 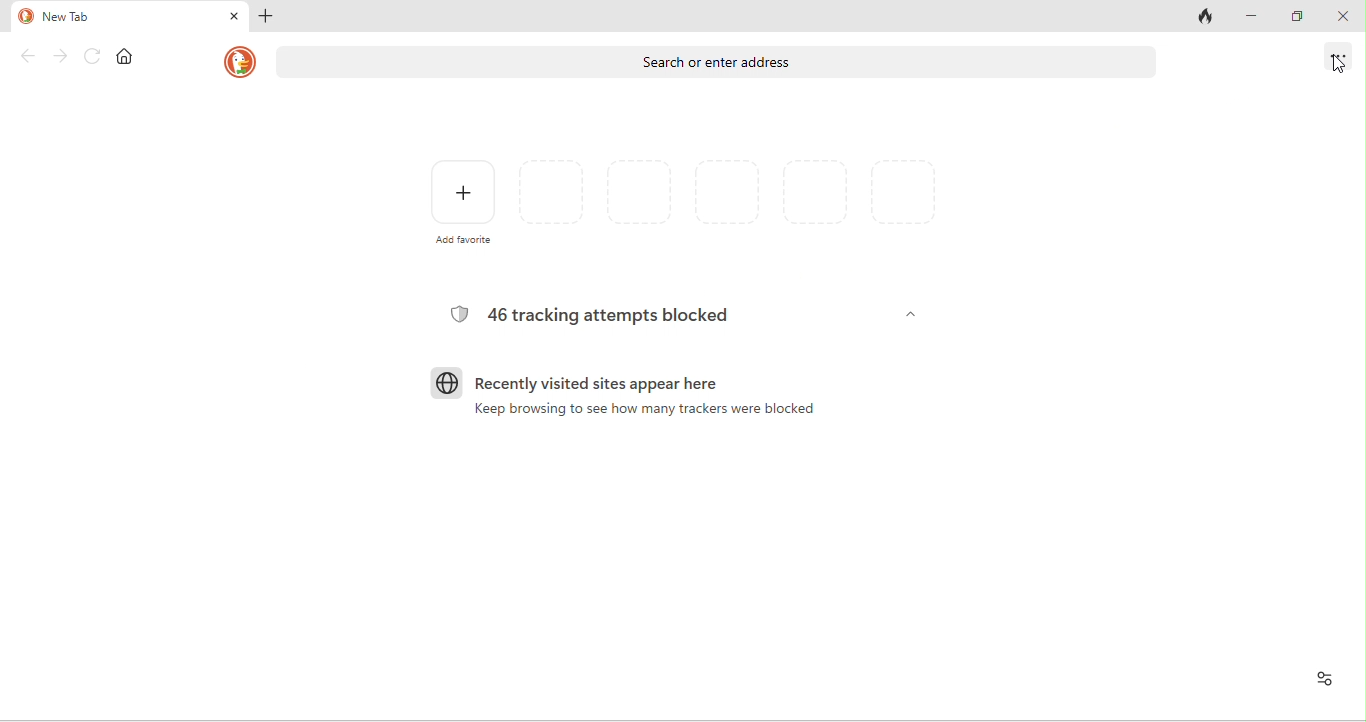 I want to click on back, so click(x=23, y=57).